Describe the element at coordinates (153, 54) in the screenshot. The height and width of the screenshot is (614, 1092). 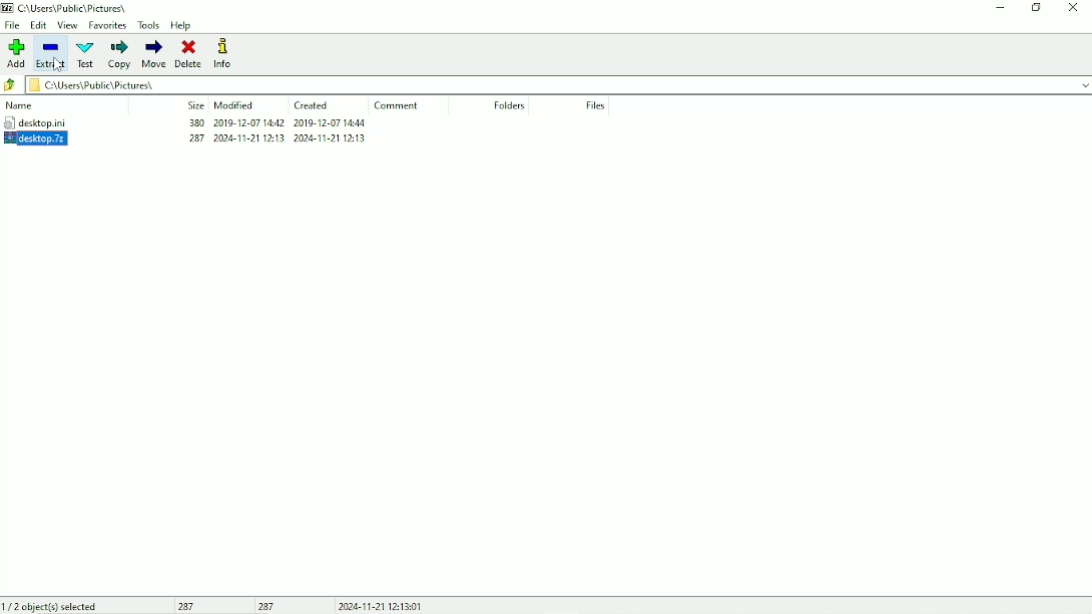
I see `Move` at that location.